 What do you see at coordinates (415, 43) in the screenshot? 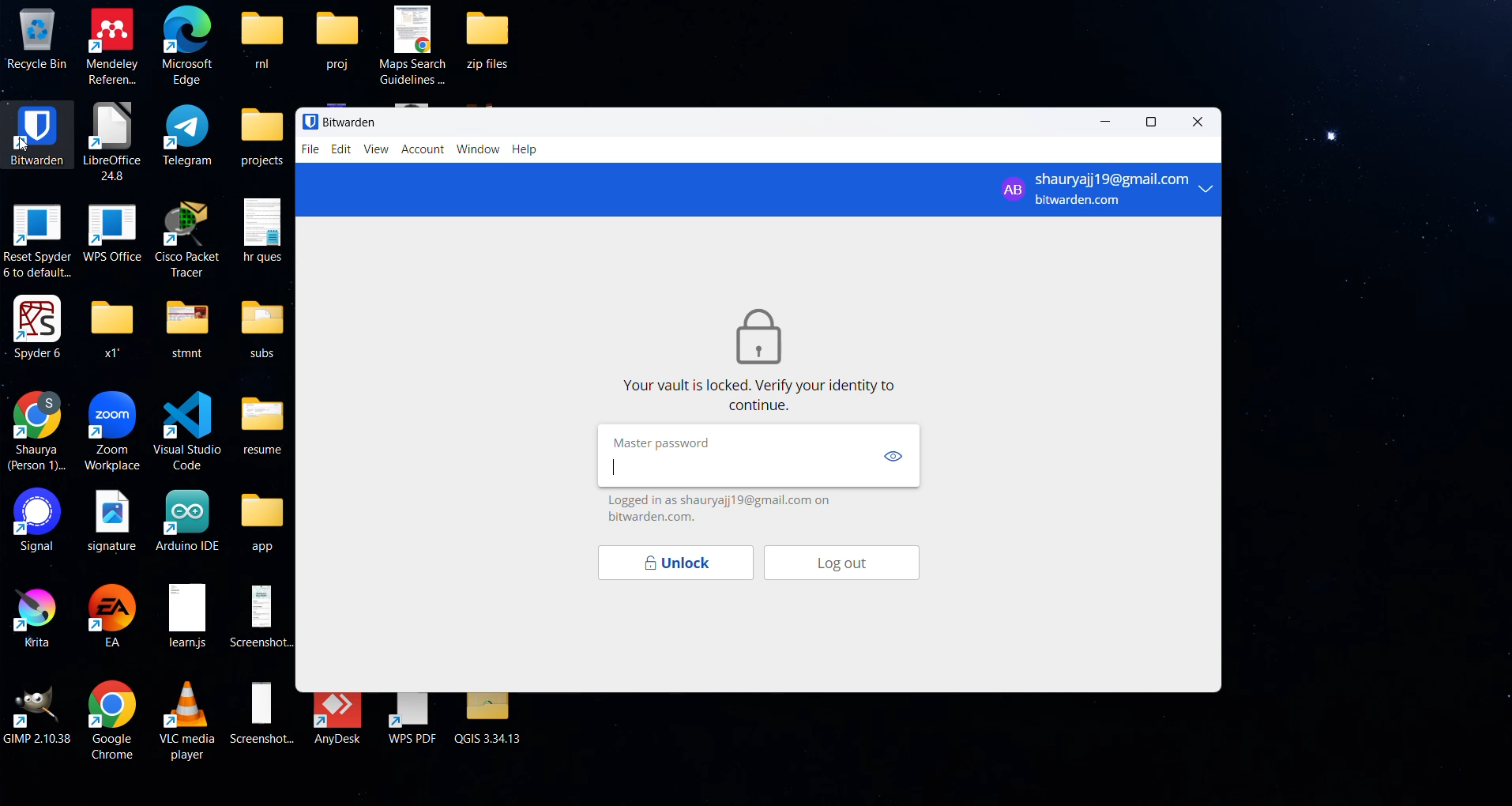
I see `Maps Search Guidelines ...` at bounding box center [415, 43].